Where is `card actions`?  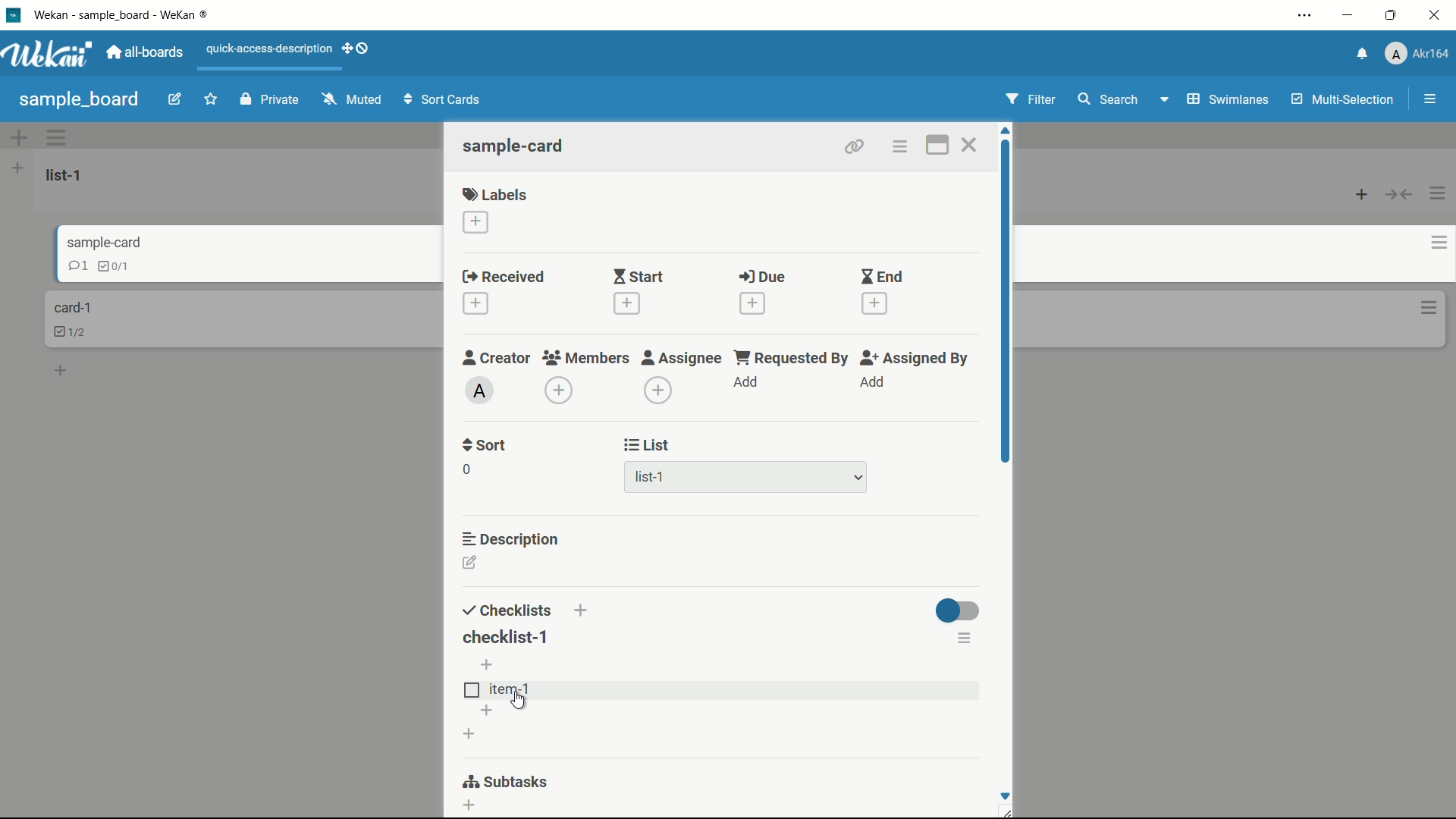
card actions is located at coordinates (1430, 309).